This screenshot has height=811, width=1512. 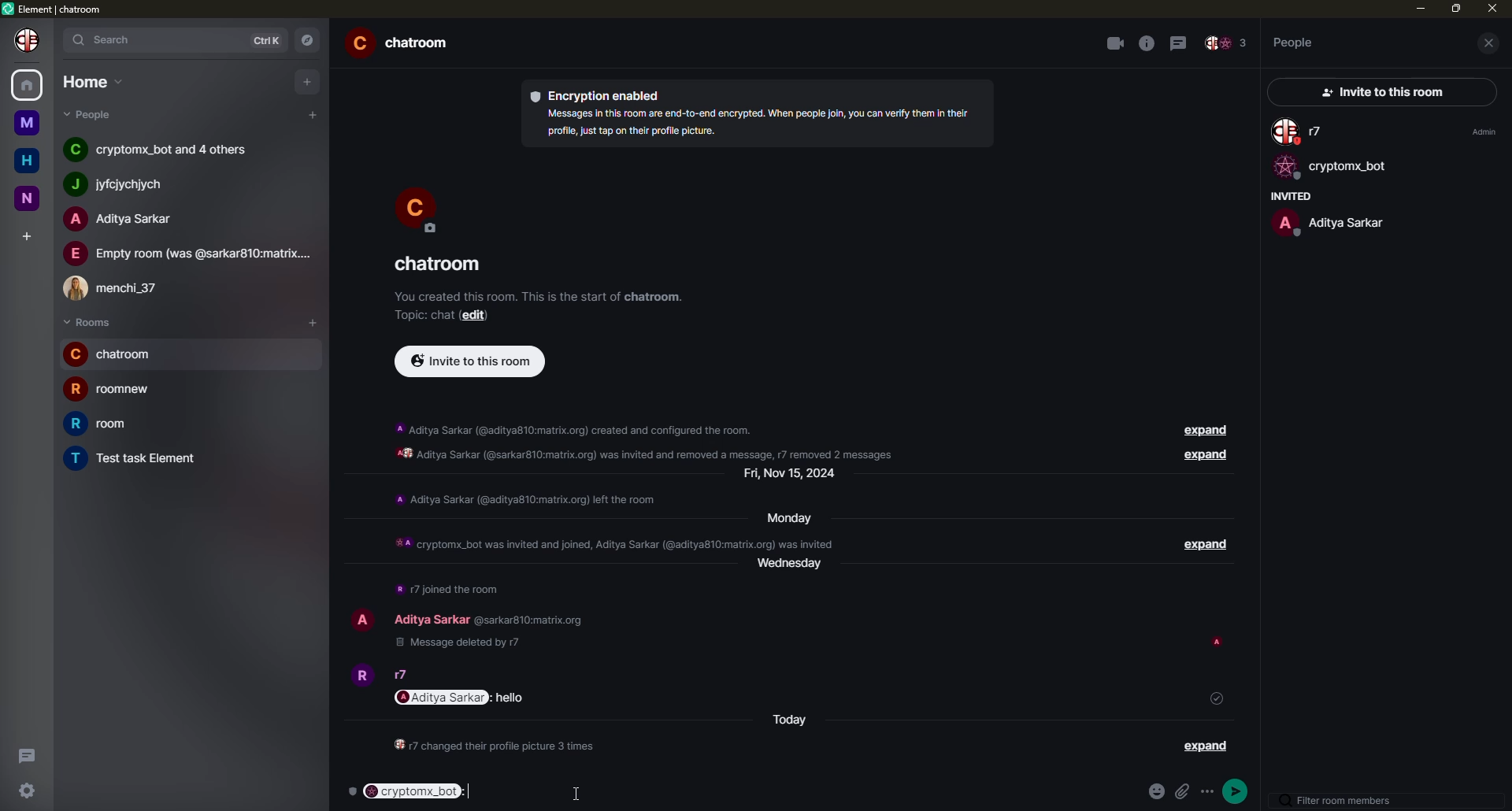 I want to click on message, so click(x=511, y=698).